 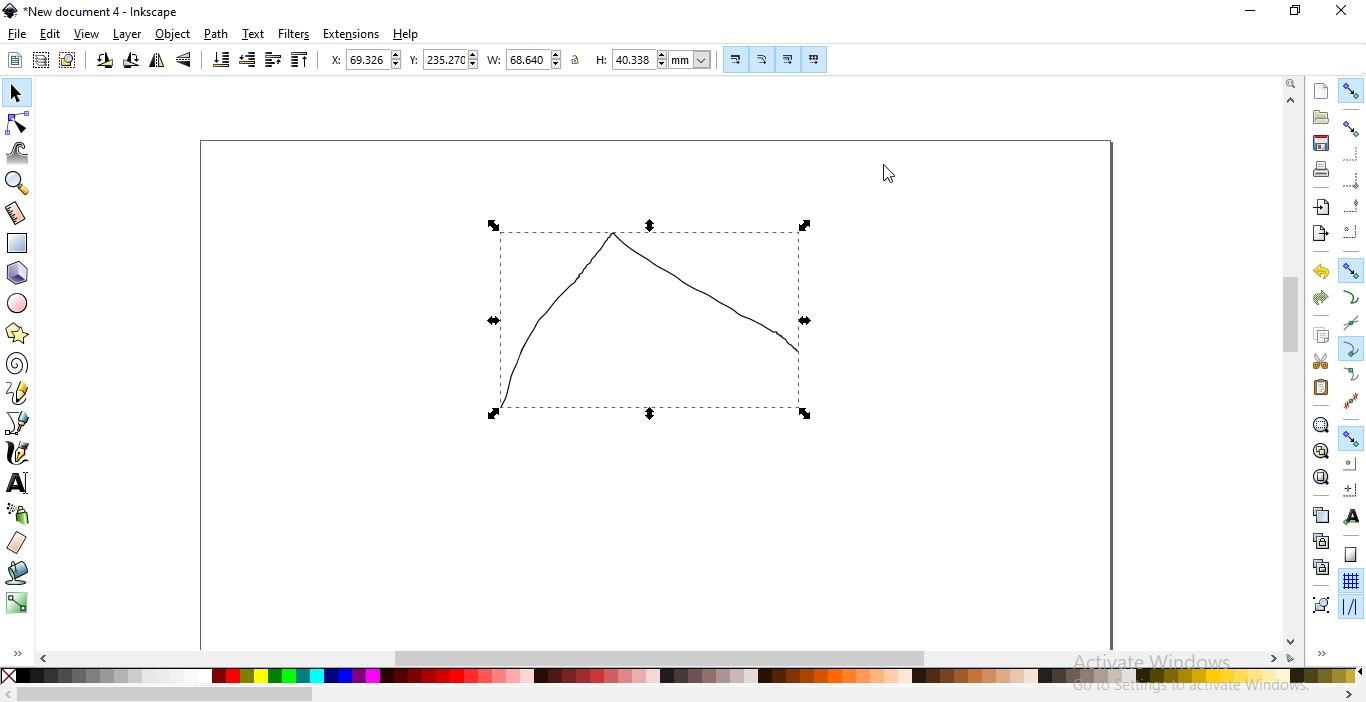 What do you see at coordinates (16, 603) in the screenshot?
I see `create or edit gradients` at bounding box center [16, 603].